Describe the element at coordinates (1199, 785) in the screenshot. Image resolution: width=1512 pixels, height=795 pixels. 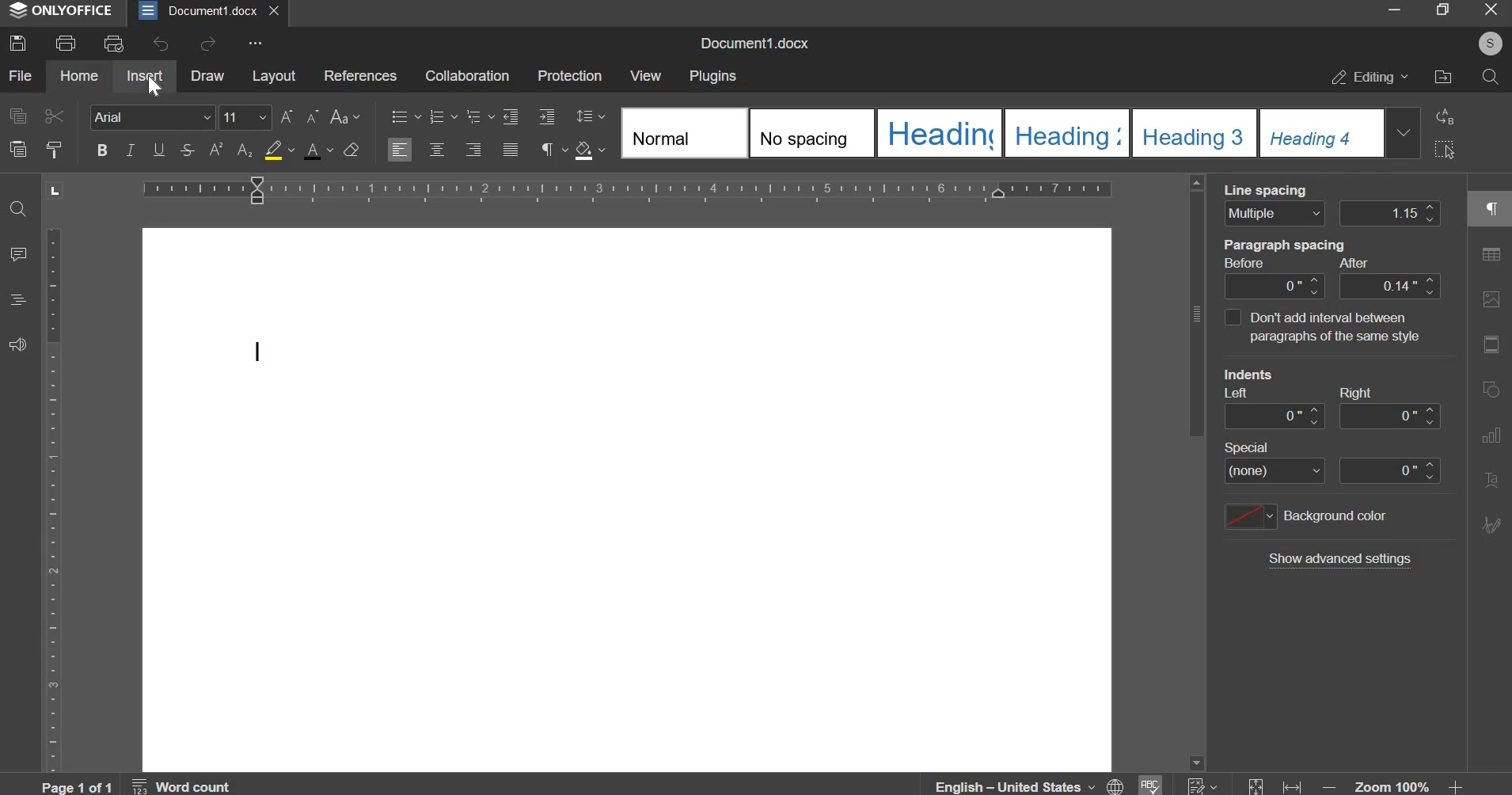
I see `numbering` at that location.